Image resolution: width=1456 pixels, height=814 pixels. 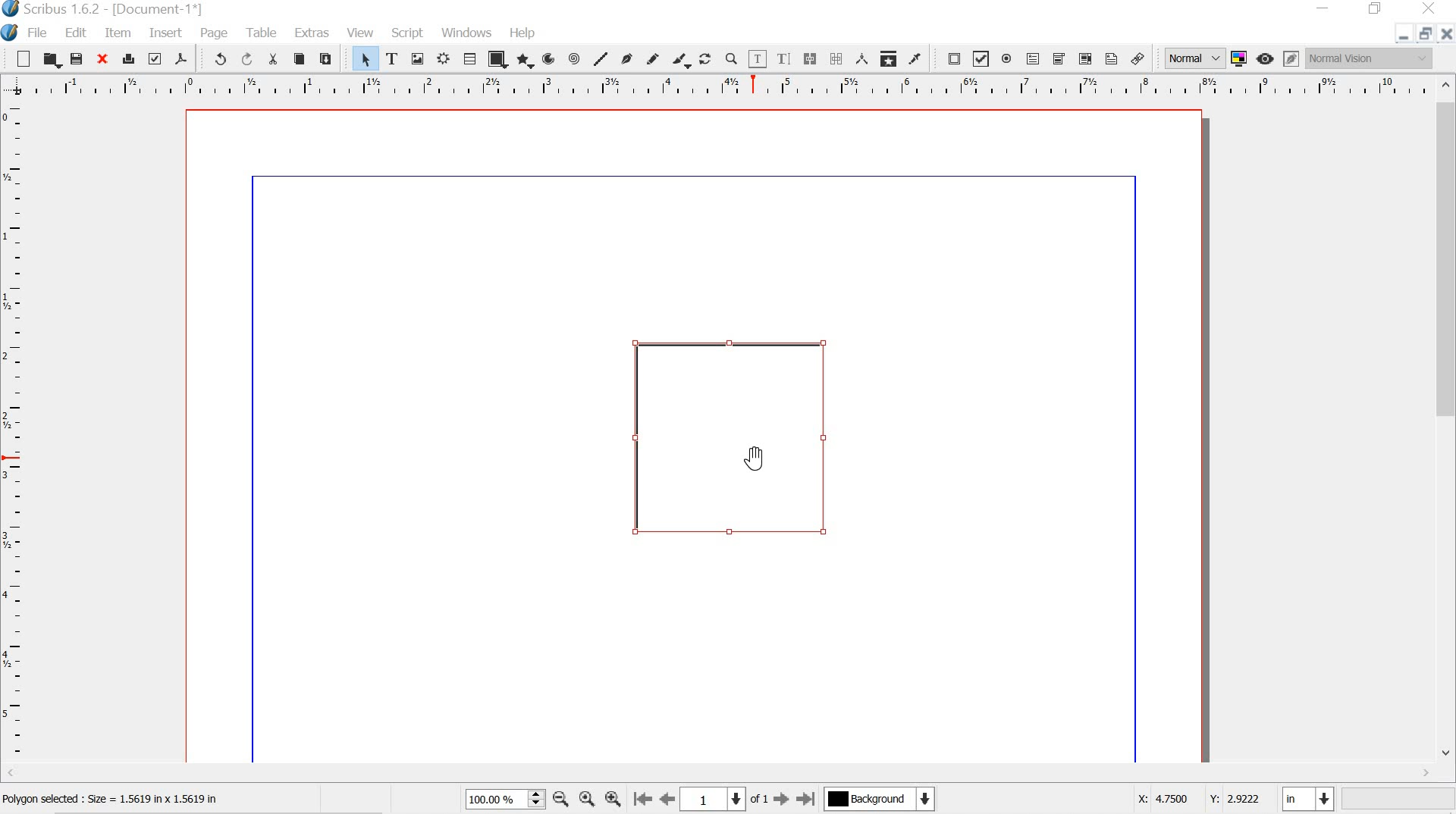 I want to click on shape, so click(x=497, y=58).